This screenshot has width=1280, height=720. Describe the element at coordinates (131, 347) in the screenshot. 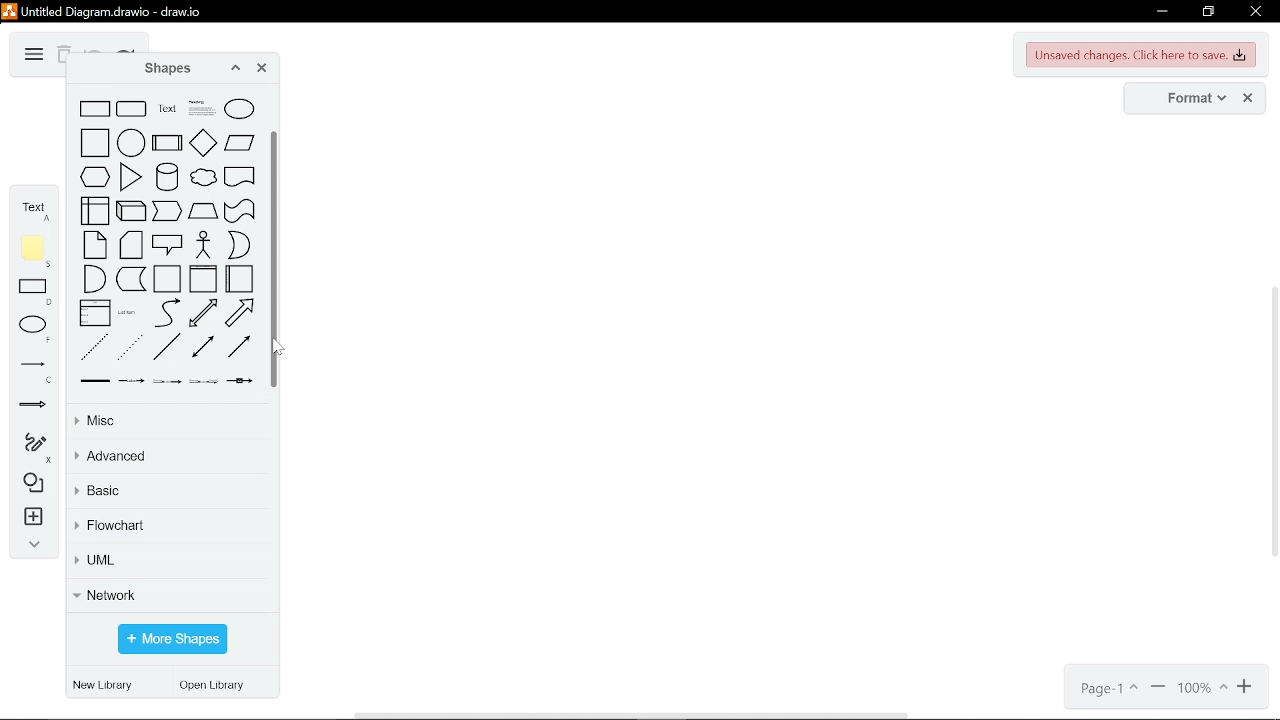

I see `dotted line` at that location.